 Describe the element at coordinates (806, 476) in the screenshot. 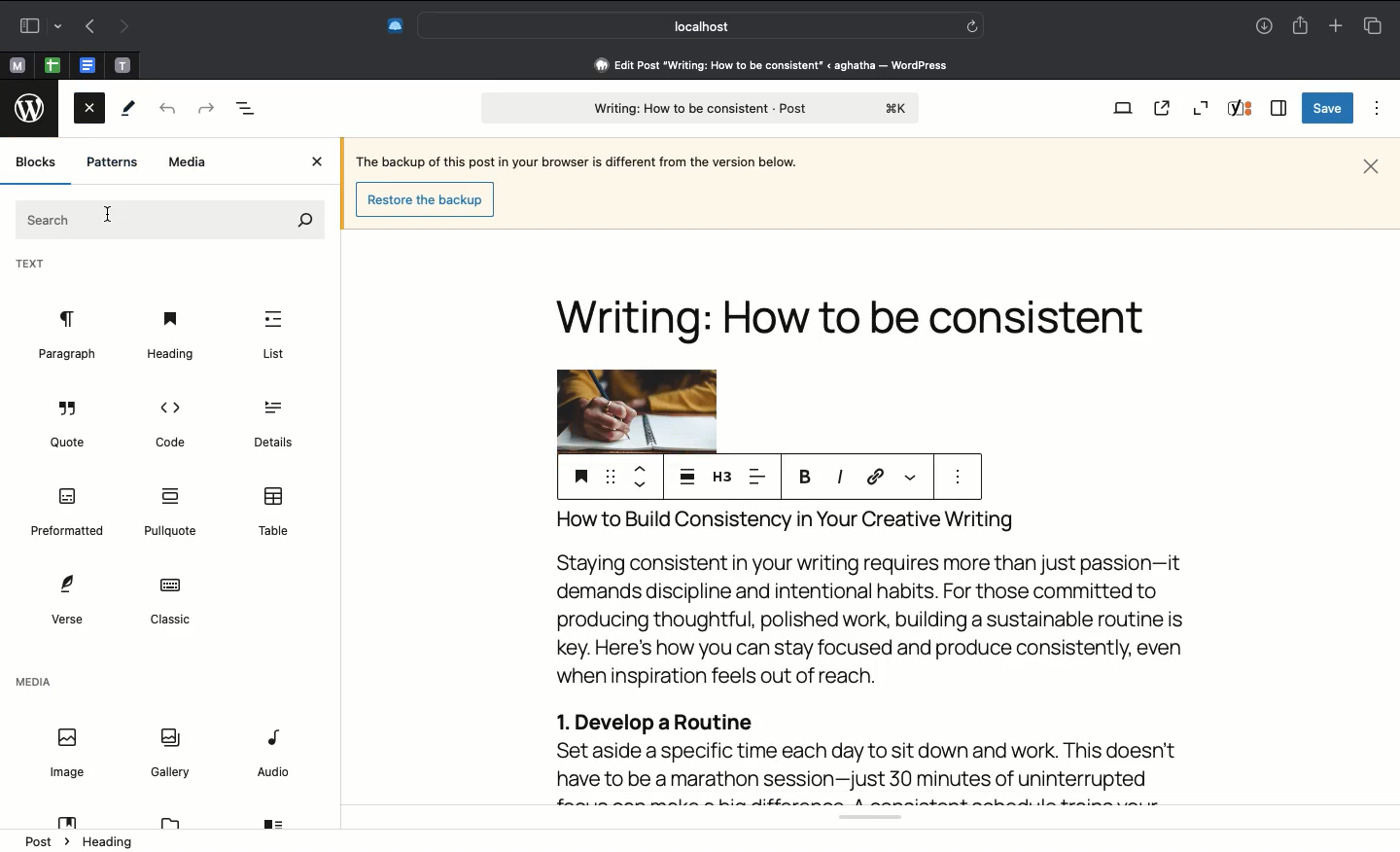

I see `Bold` at that location.